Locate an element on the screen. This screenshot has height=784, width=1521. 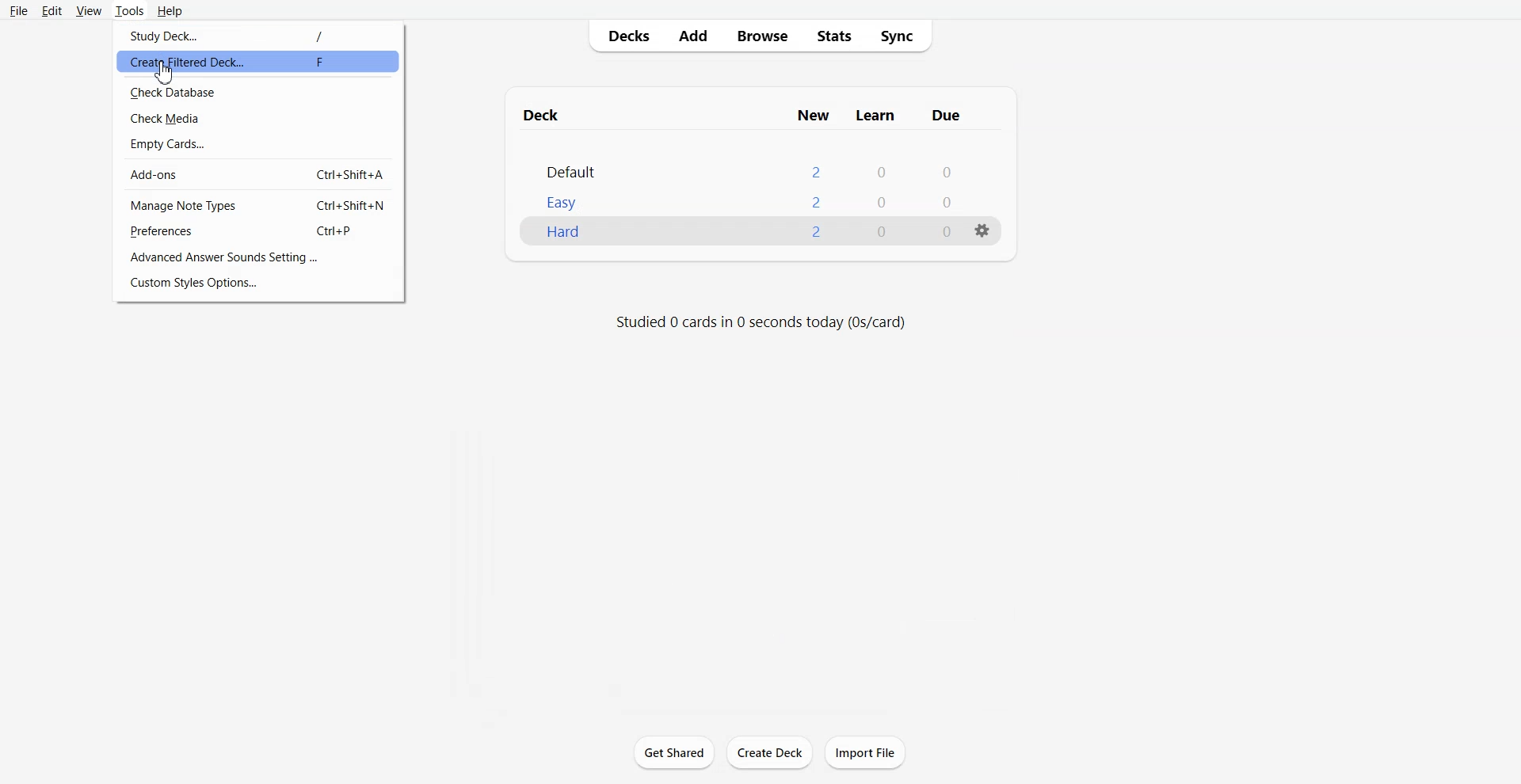
Browse is located at coordinates (764, 36).